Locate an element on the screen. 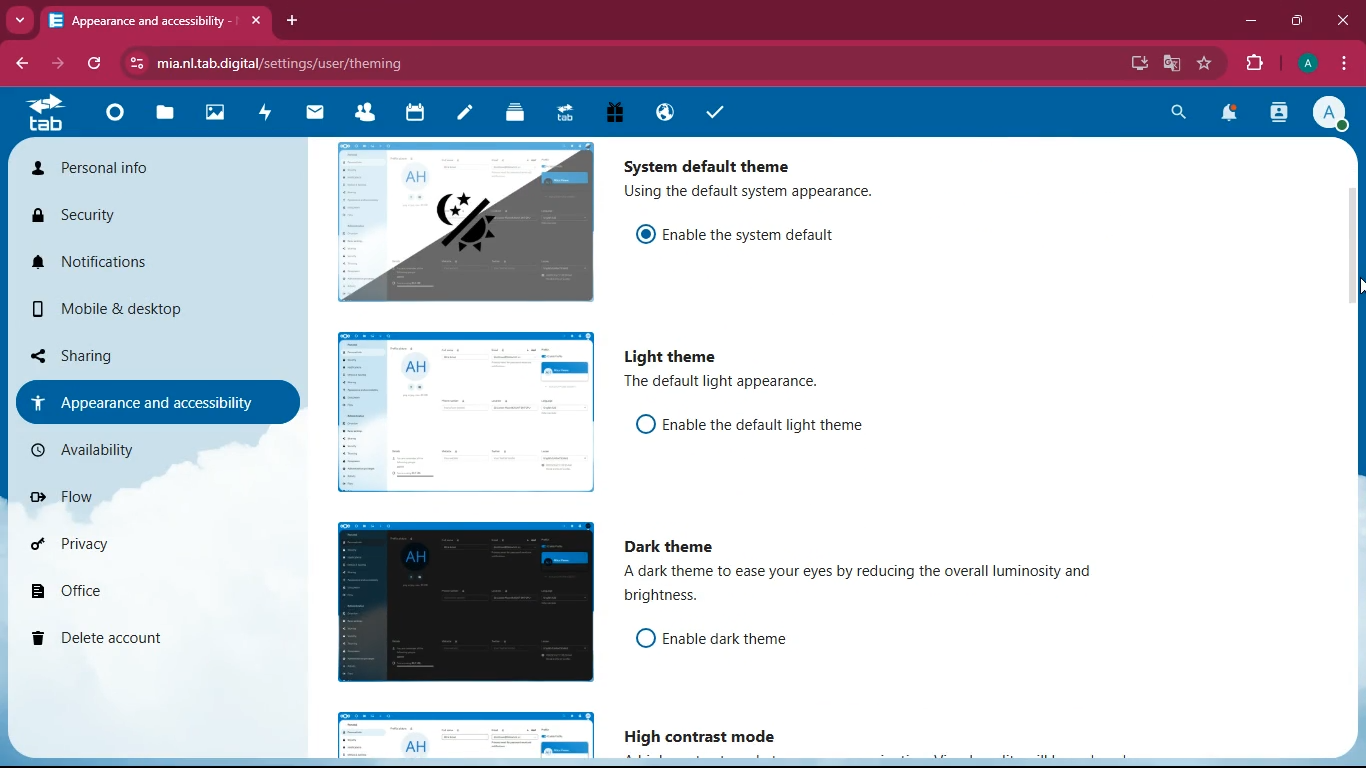 Image resolution: width=1366 pixels, height=768 pixels. delete account is located at coordinates (126, 640).